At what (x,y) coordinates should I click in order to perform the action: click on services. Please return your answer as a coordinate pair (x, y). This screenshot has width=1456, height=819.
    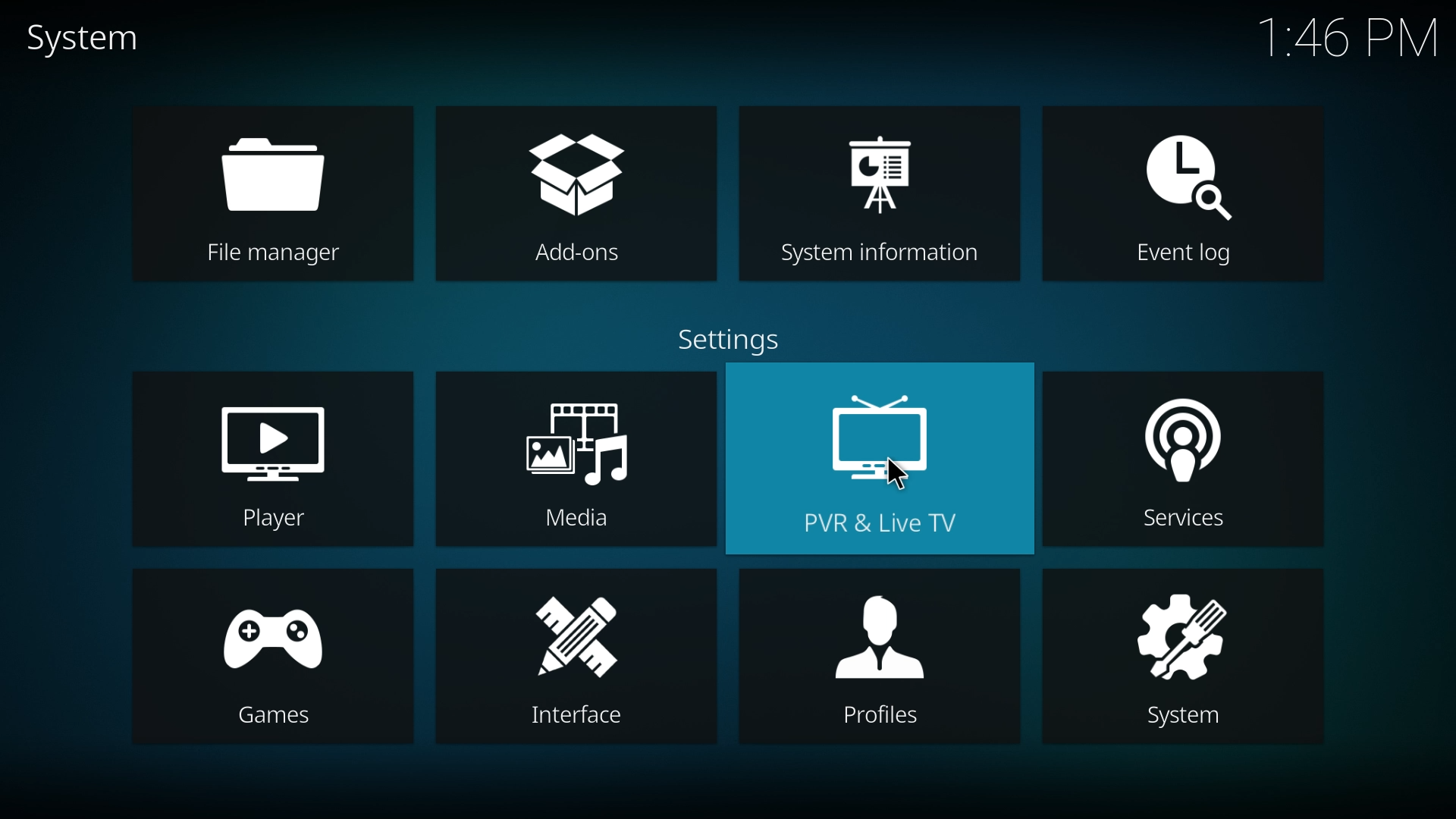
    Looking at the image, I should click on (1183, 460).